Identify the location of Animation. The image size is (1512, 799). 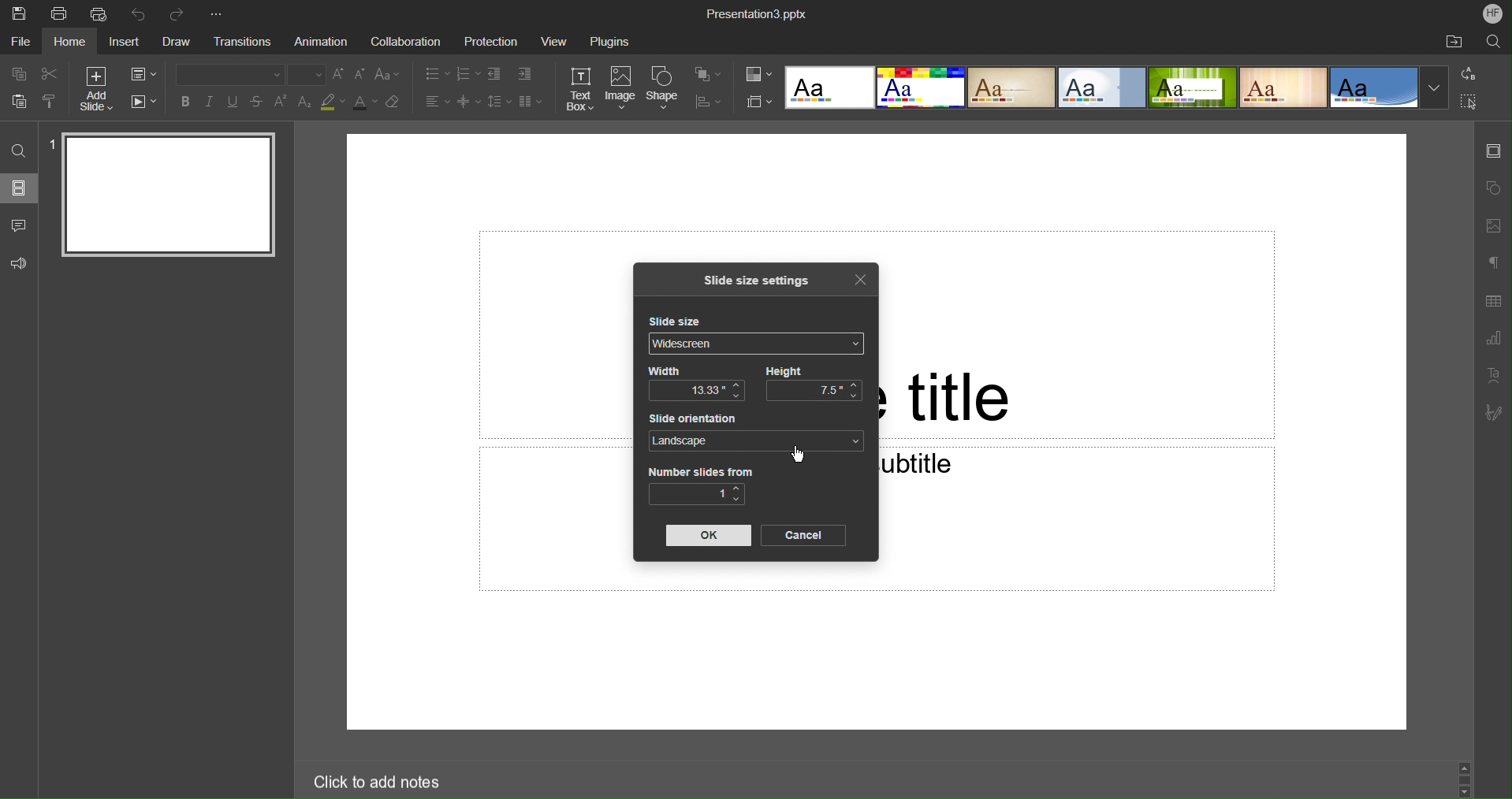
(323, 42).